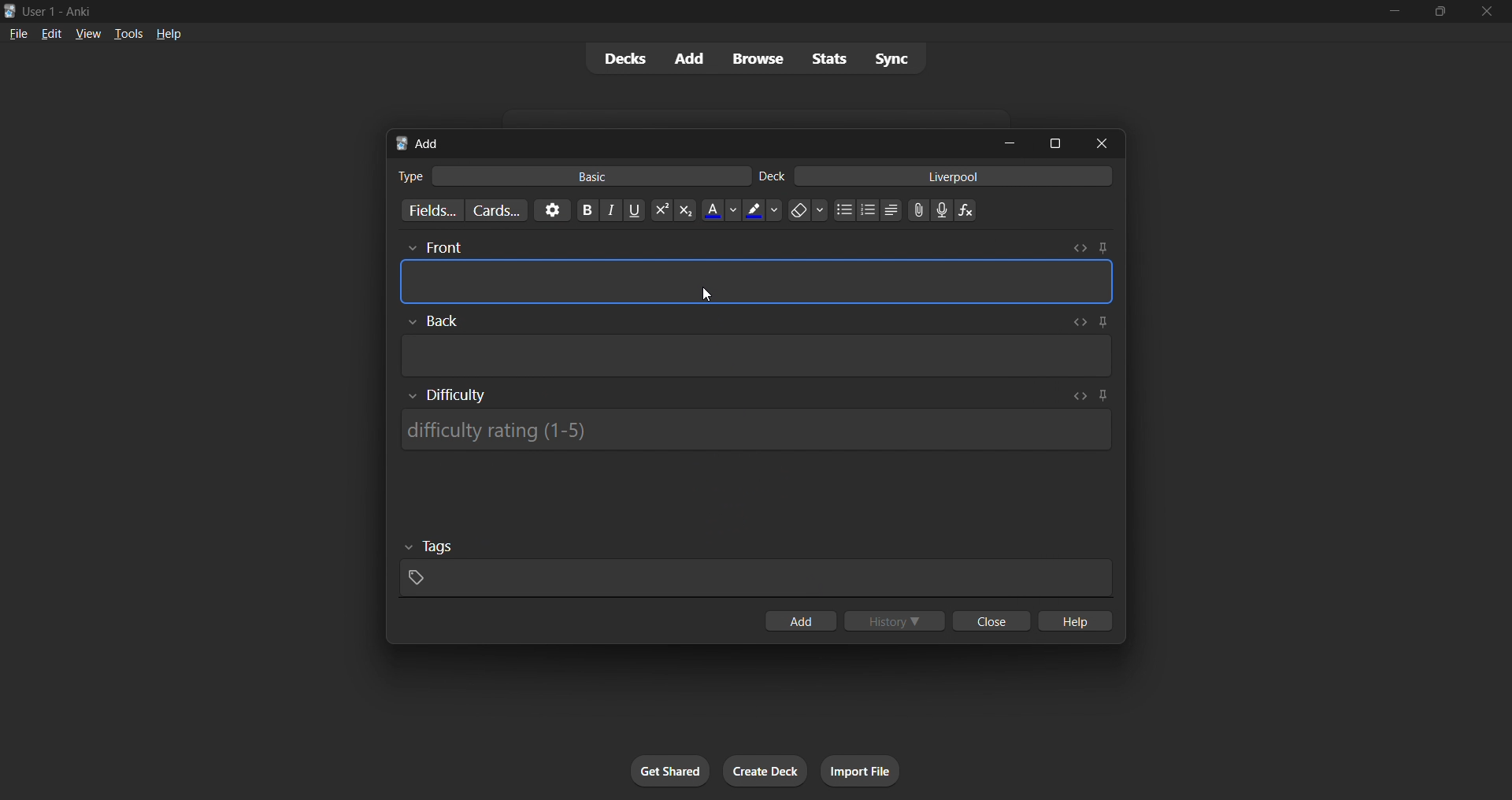 The height and width of the screenshot is (800, 1512). I want to click on Difficulty rating input box, so click(755, 430).